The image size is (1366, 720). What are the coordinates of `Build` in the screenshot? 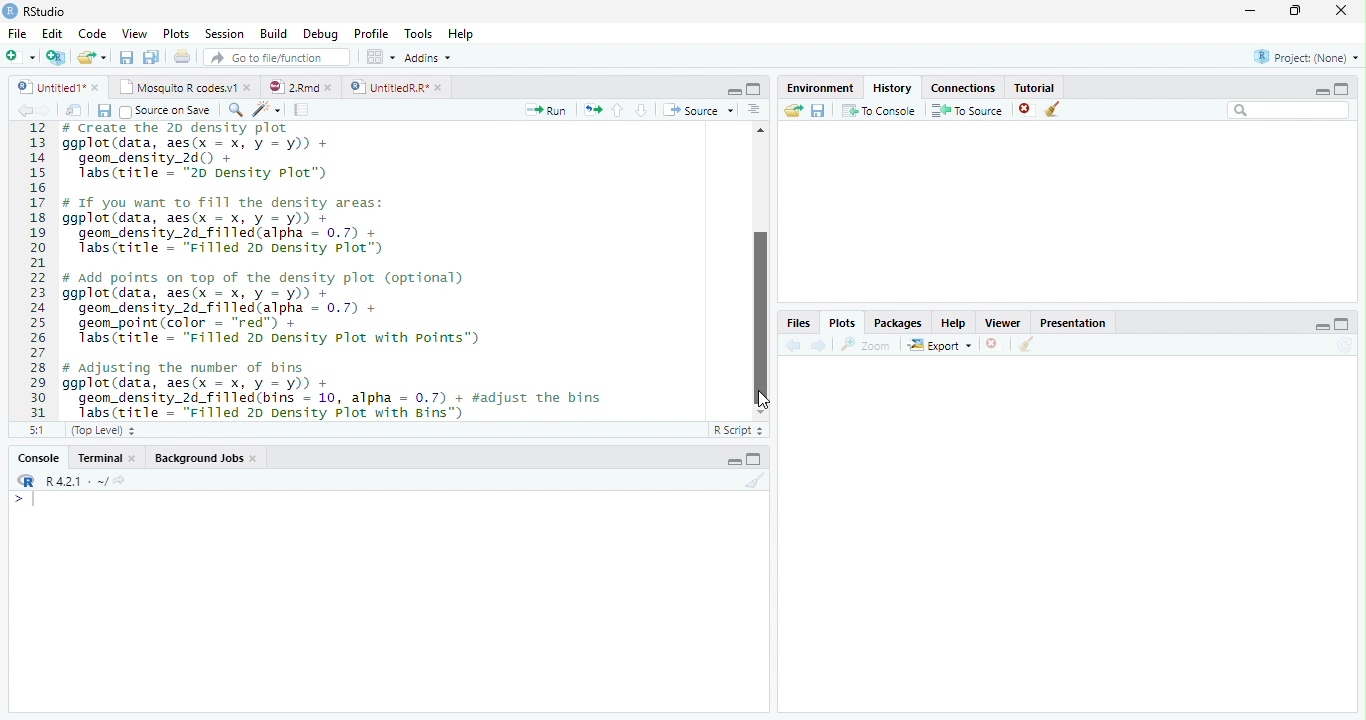 It's located at (273, 33).